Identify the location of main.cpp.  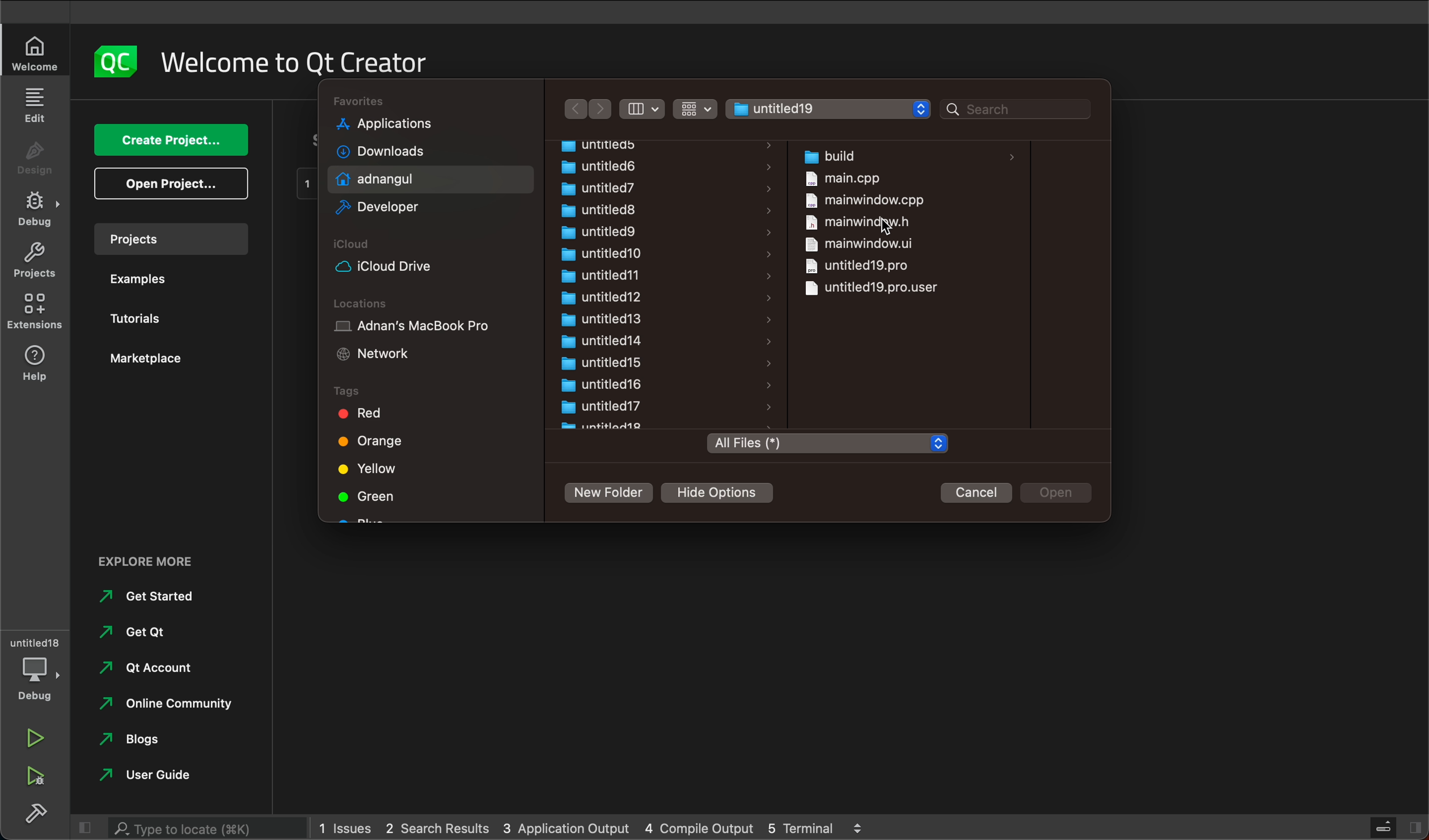
(847, 180).